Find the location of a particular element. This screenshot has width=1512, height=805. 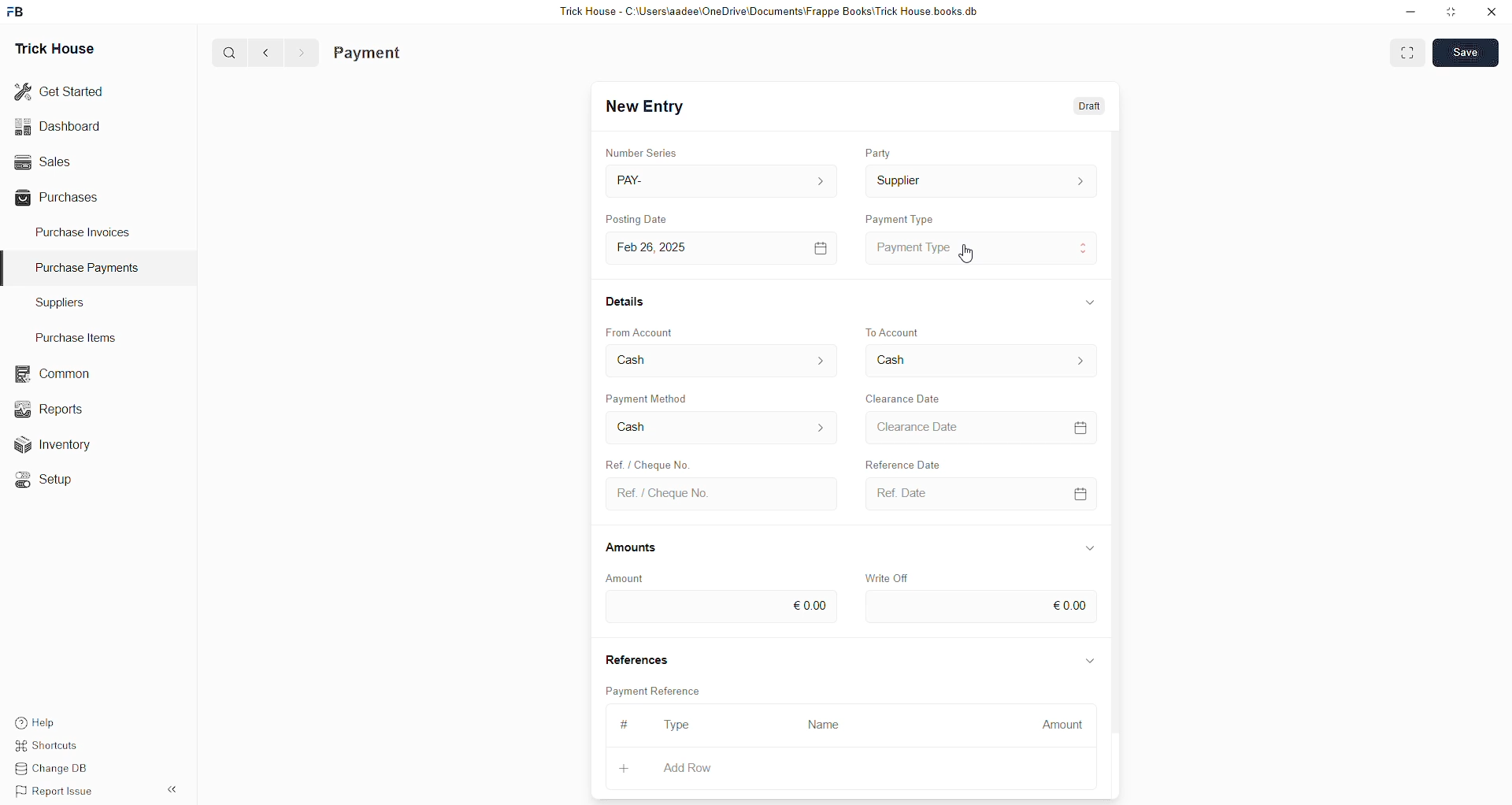

frappebooks logo is located at coordinates (17, 9).